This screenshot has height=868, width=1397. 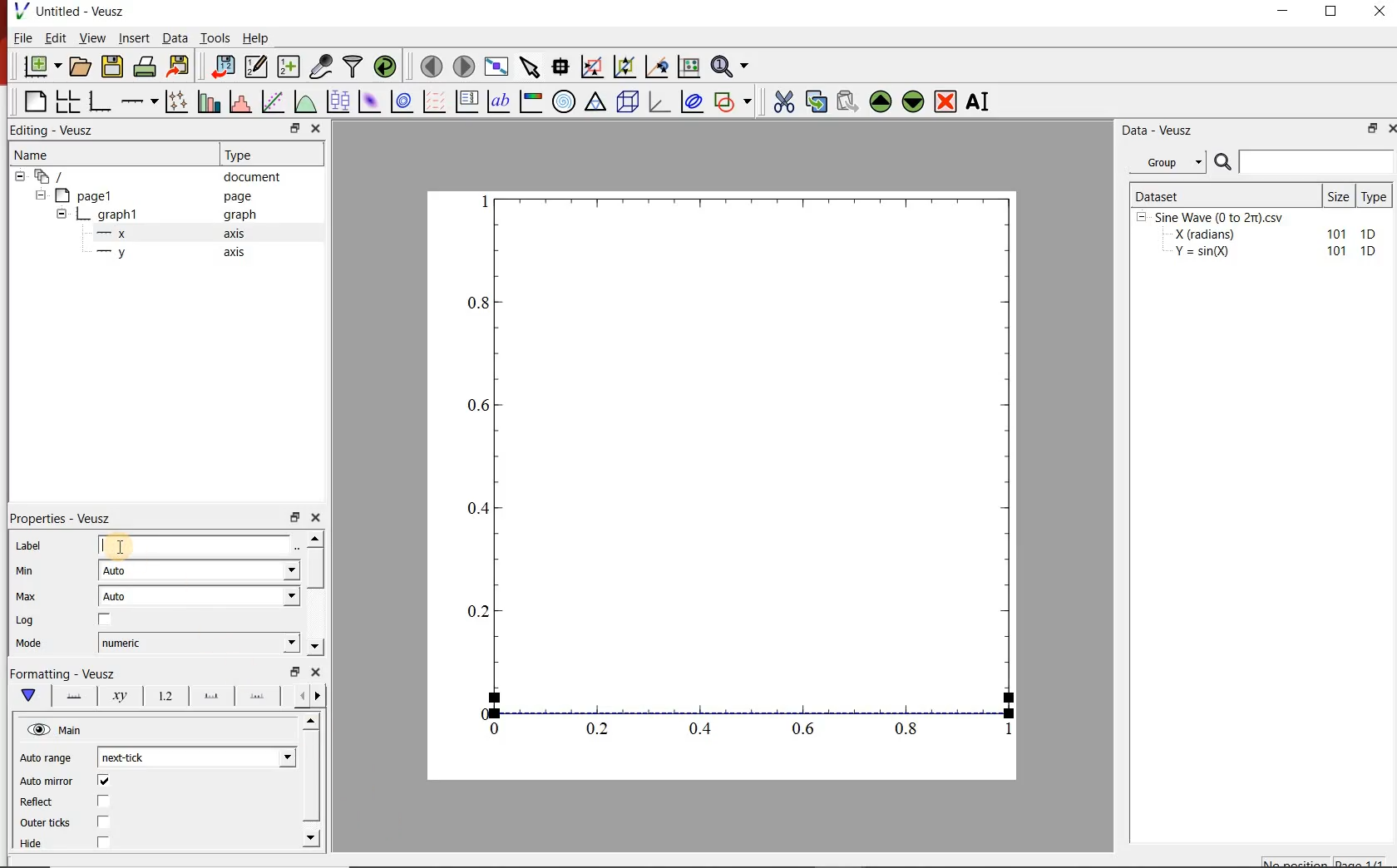 I want to click on histogram, so click(x=242, y=101).